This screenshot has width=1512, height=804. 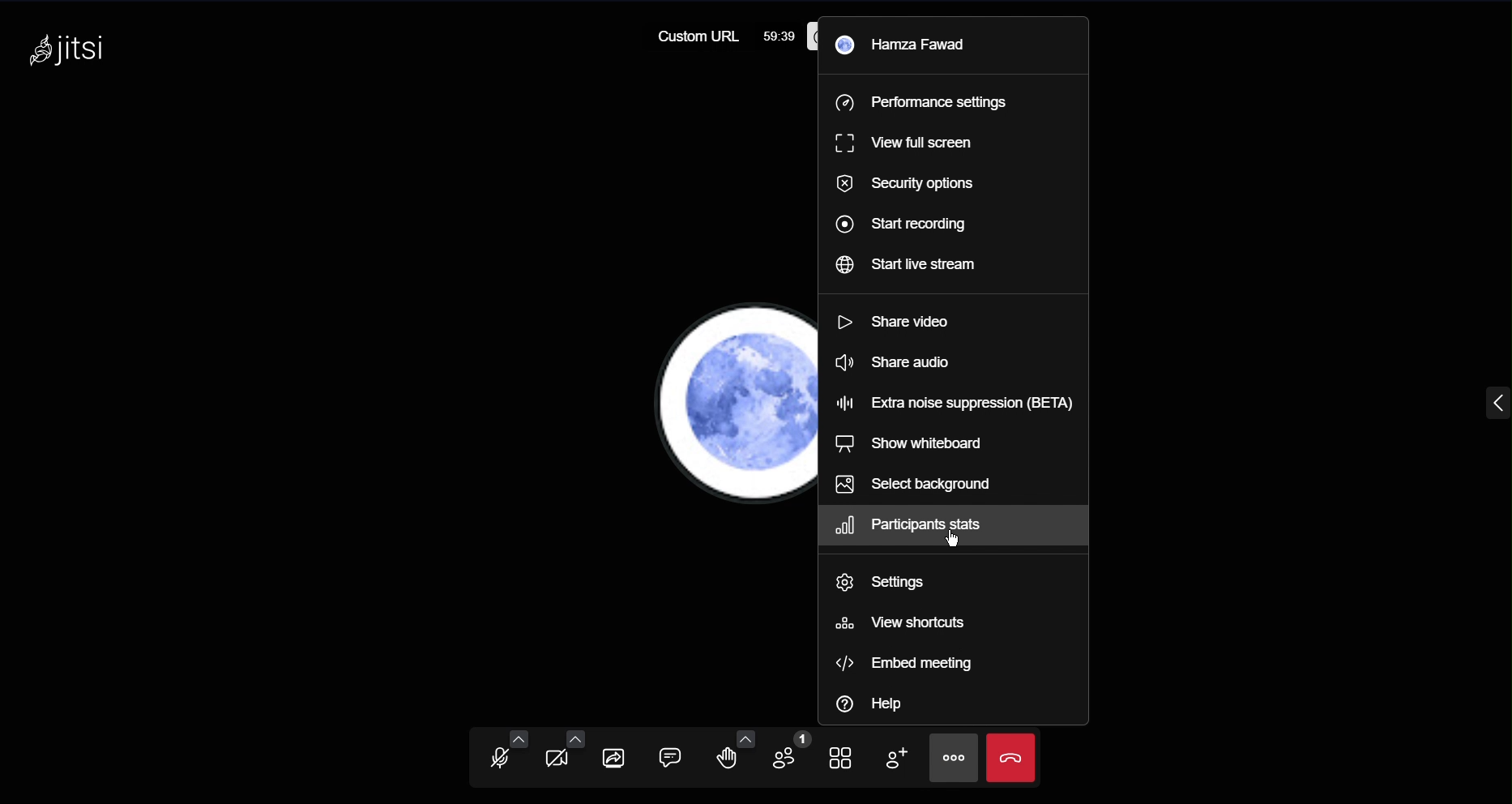 I want to click on Start live stream, so click(x=905, y=265).